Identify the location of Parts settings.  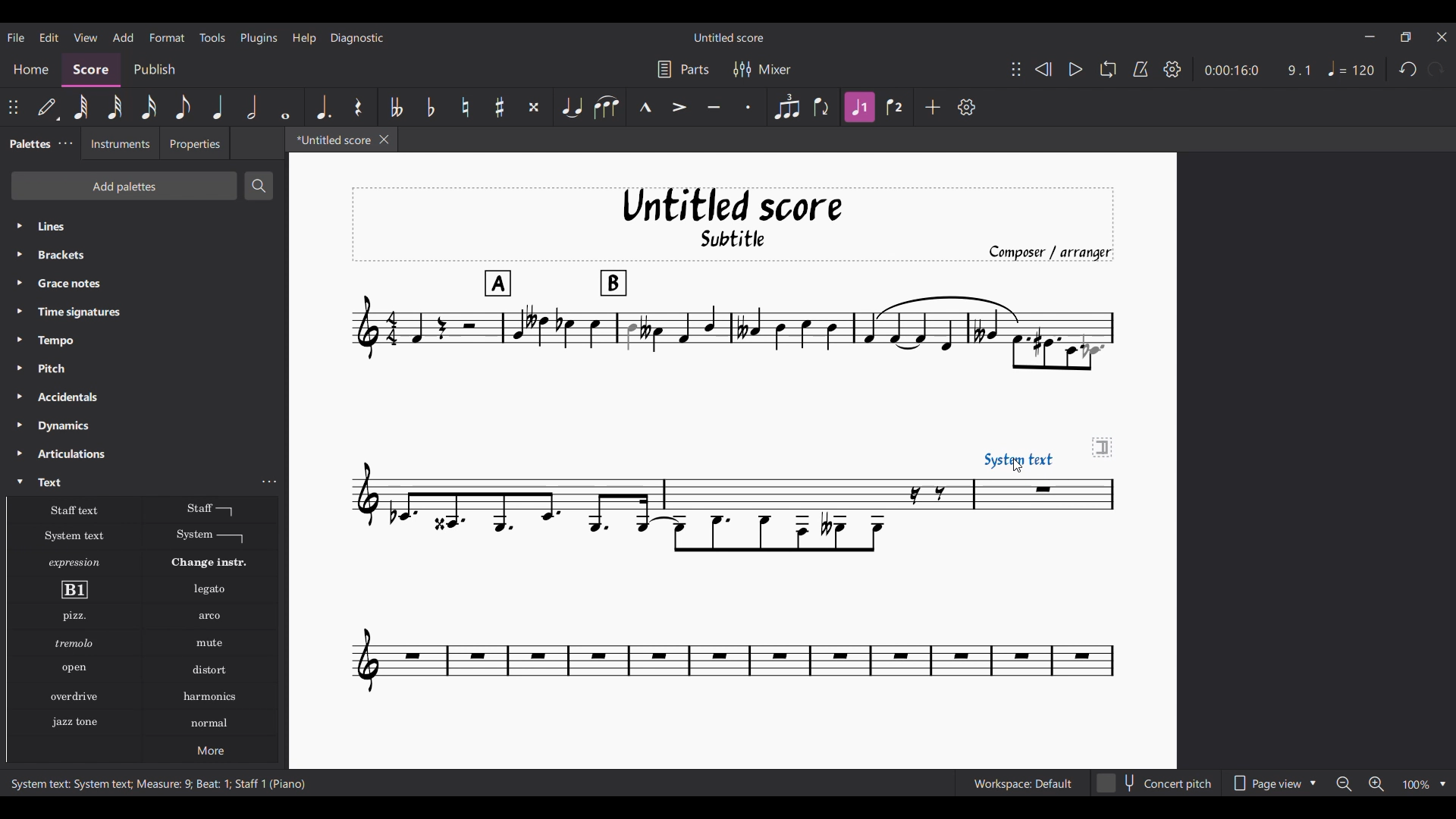
(684, 69).